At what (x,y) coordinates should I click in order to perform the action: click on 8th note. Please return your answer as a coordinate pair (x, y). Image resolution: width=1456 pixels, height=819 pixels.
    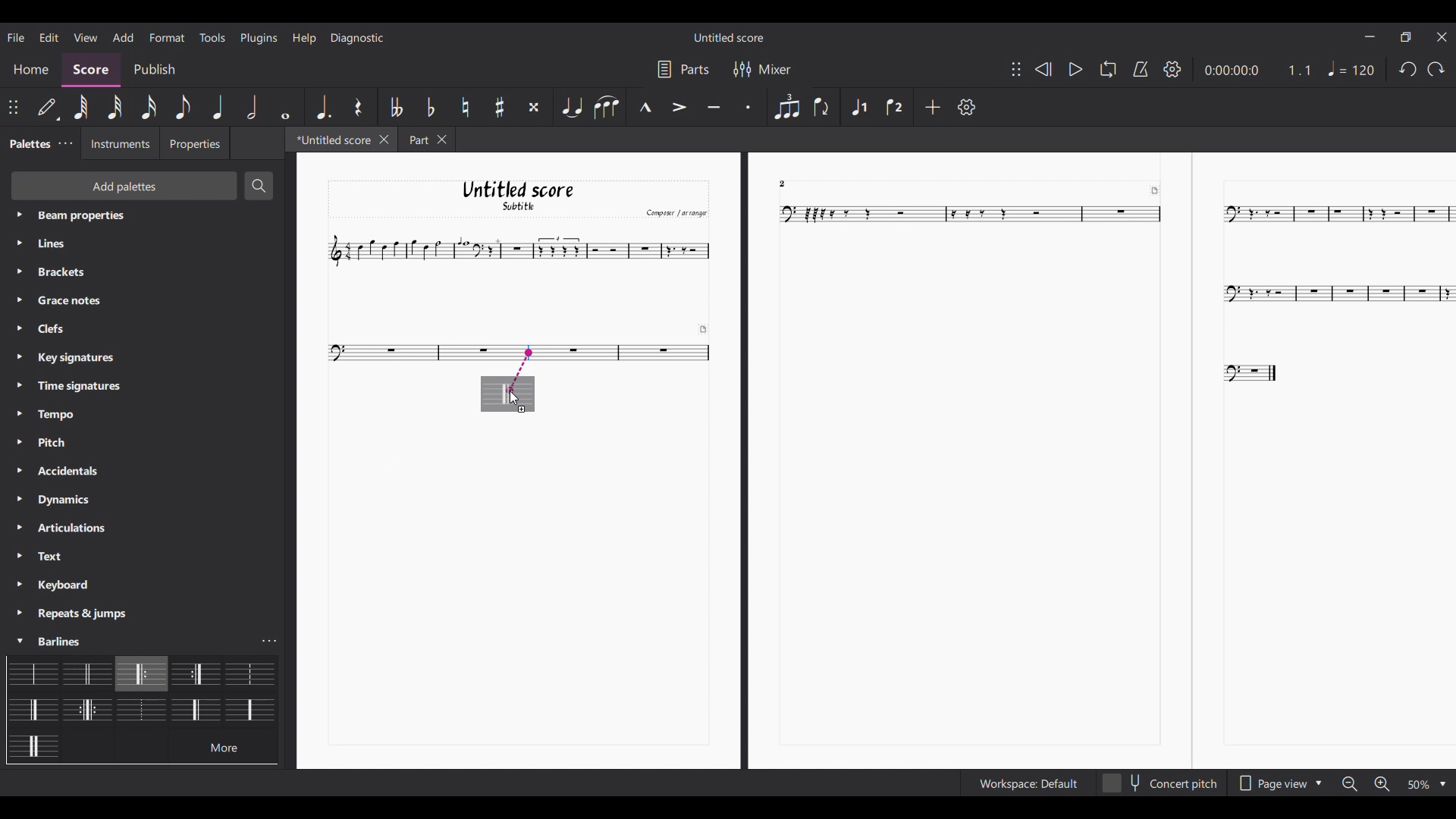
    Looking at the image, I should click on (182, 107).